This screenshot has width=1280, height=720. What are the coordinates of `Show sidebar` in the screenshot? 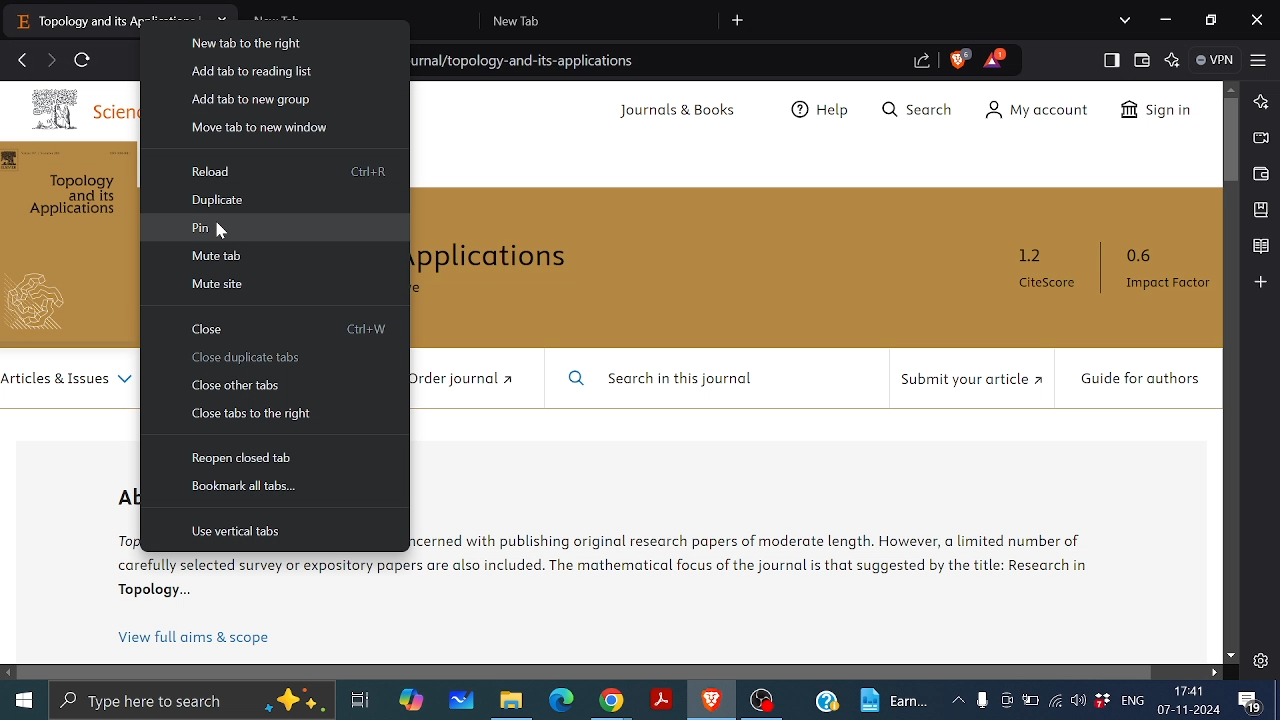 It's located at (1109, 59).